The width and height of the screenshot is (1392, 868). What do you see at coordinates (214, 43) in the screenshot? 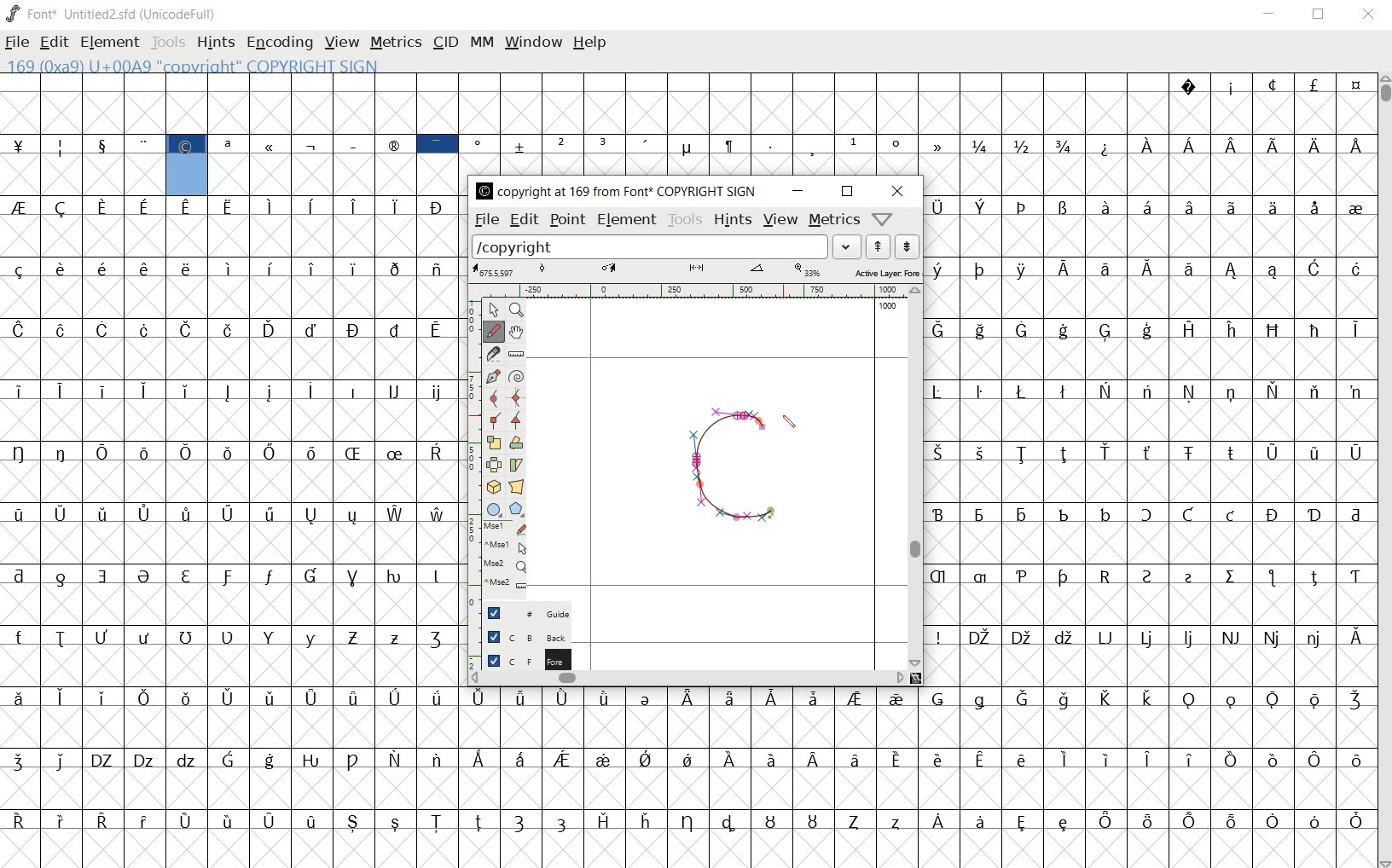
I see `hints` at bounding box center [214, 43].